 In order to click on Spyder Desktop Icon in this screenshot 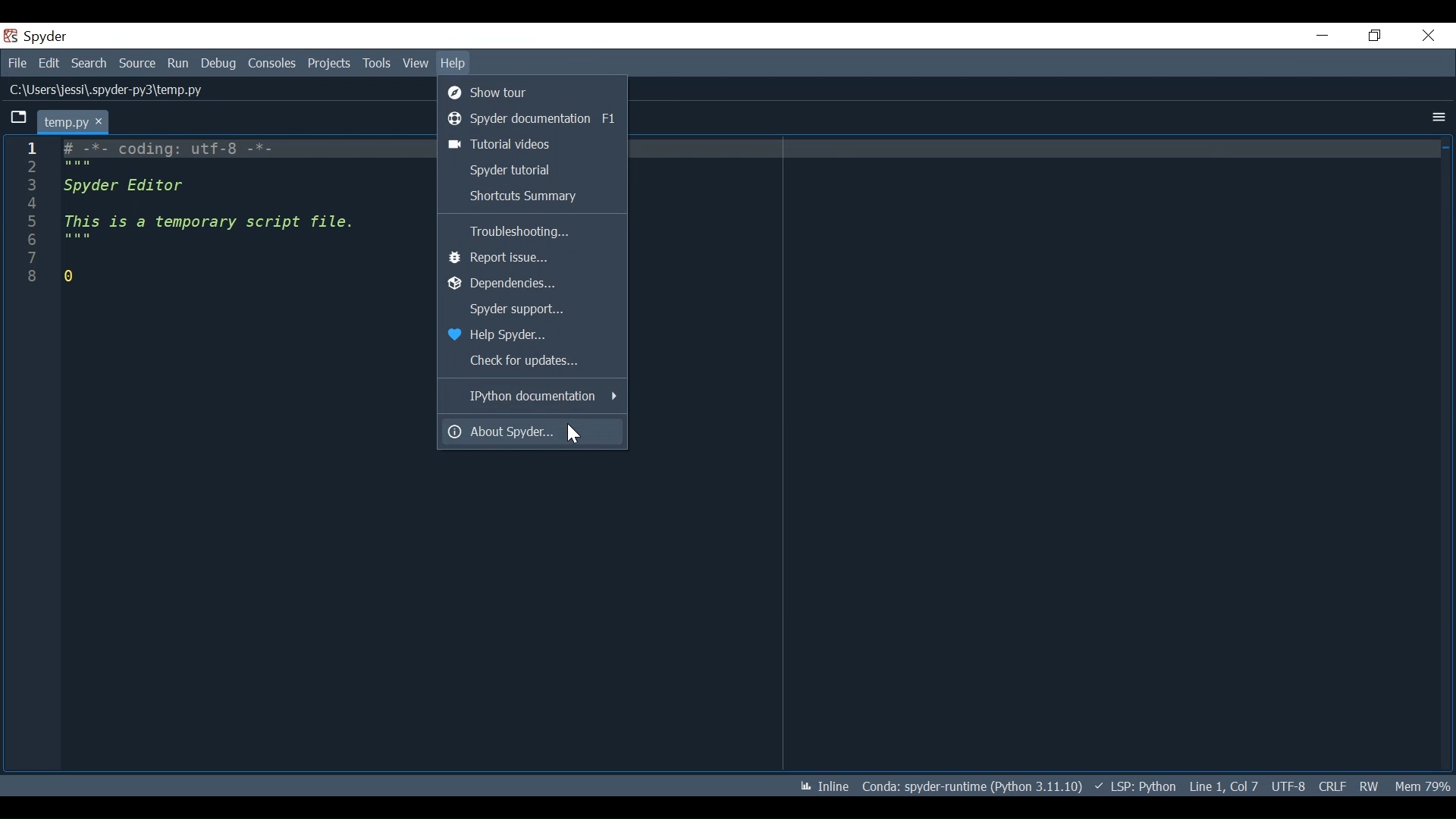, I will do `click(39, 36)`.